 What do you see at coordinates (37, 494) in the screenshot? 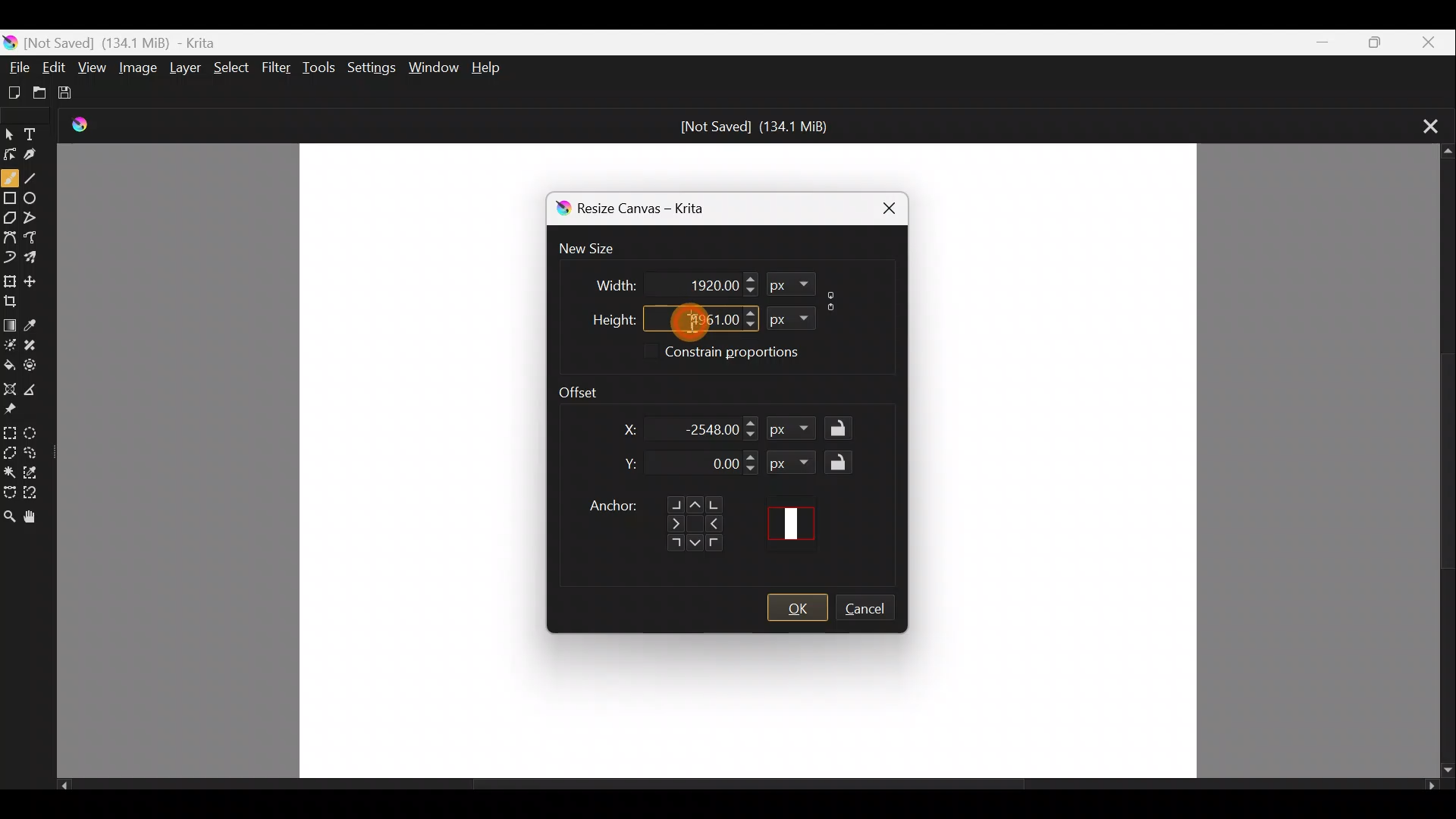
I see `Magnetic curve selection tool` at bounding box center [37, 494].